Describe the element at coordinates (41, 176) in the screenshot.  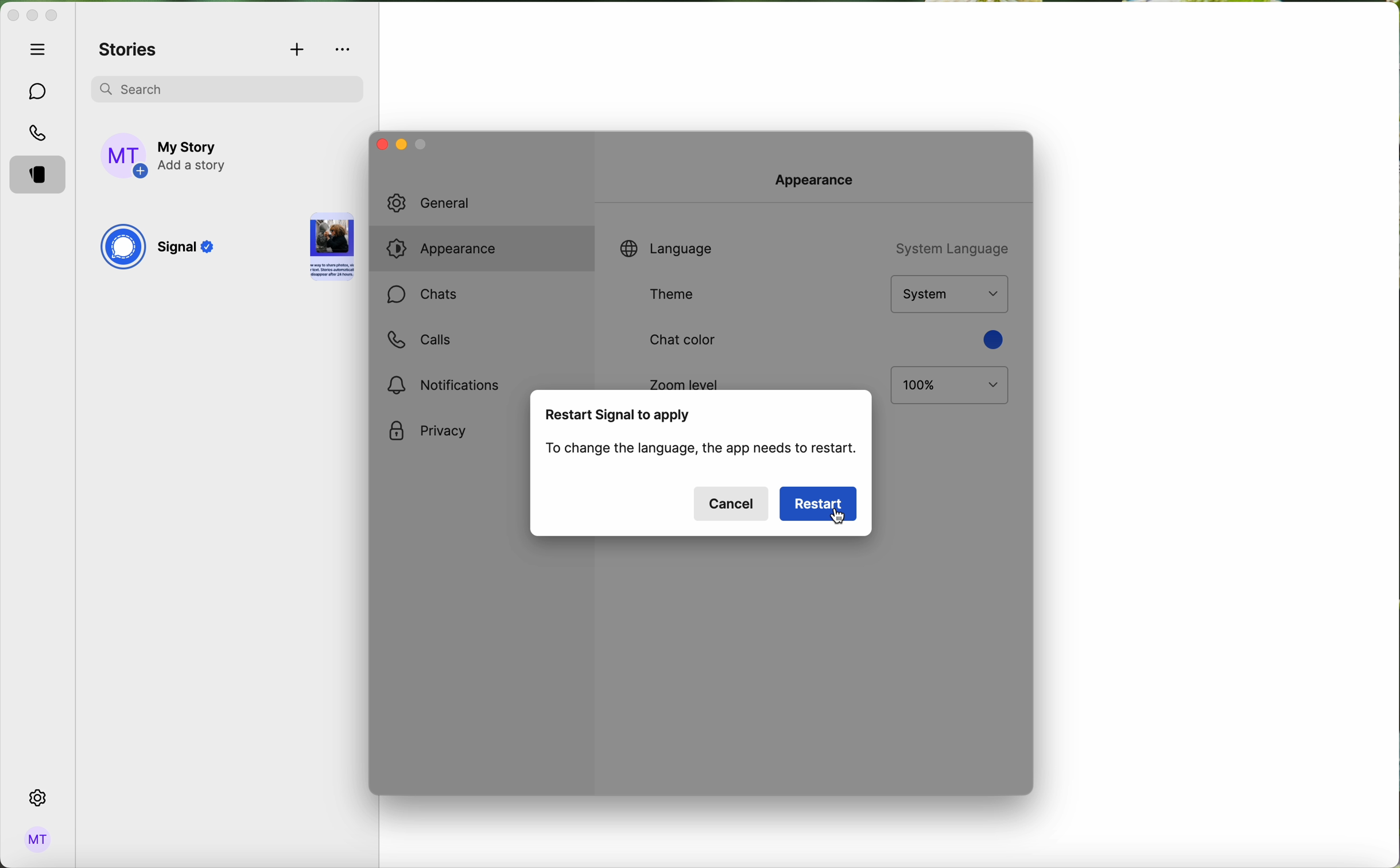
I see `stories` at that location.